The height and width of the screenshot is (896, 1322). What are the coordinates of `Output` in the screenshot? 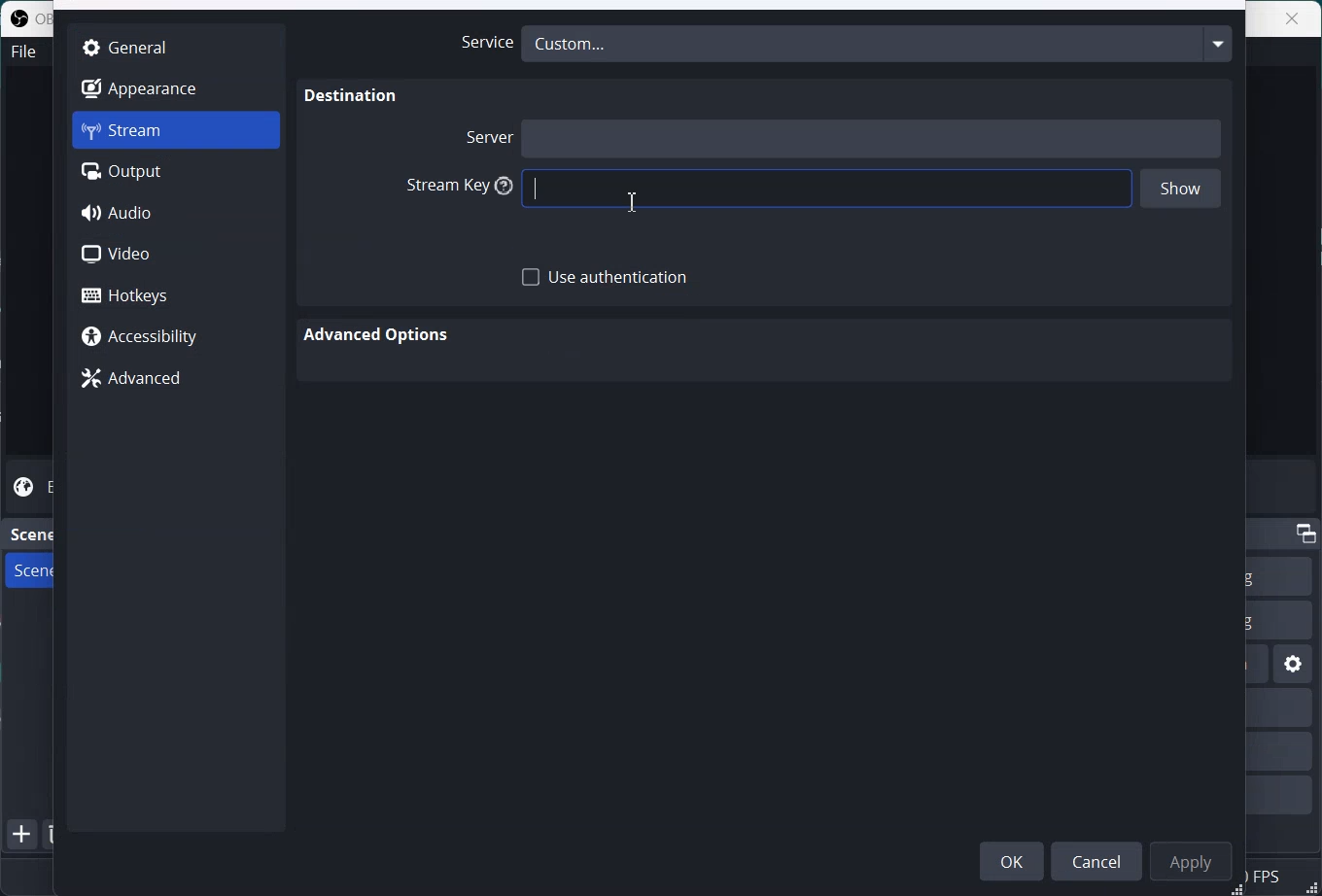 It's located at (176, 172).